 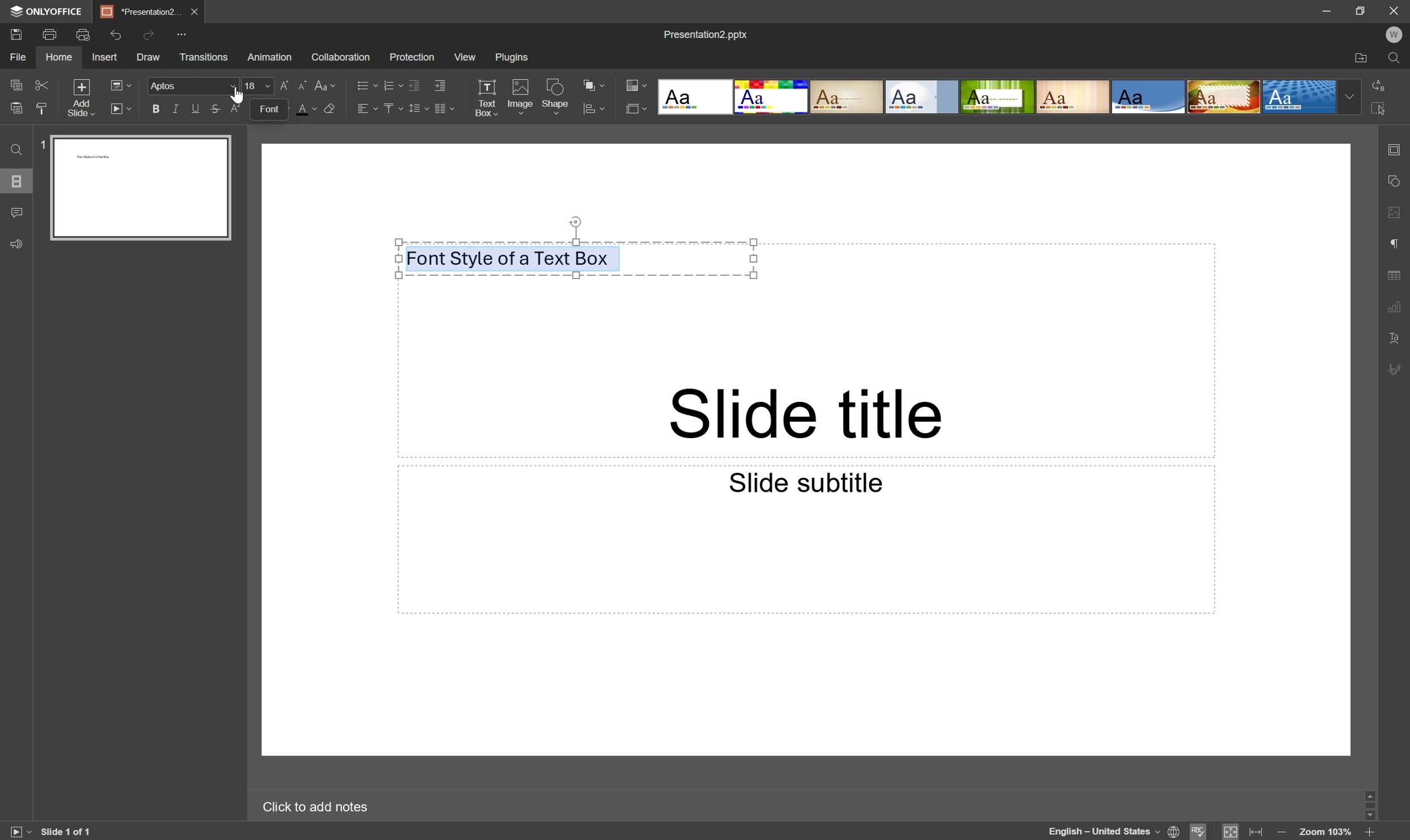 What do you see at coordinates (317, 806) in the screenshot?
I see `Click to add notes` at bounding box center [317, 806].